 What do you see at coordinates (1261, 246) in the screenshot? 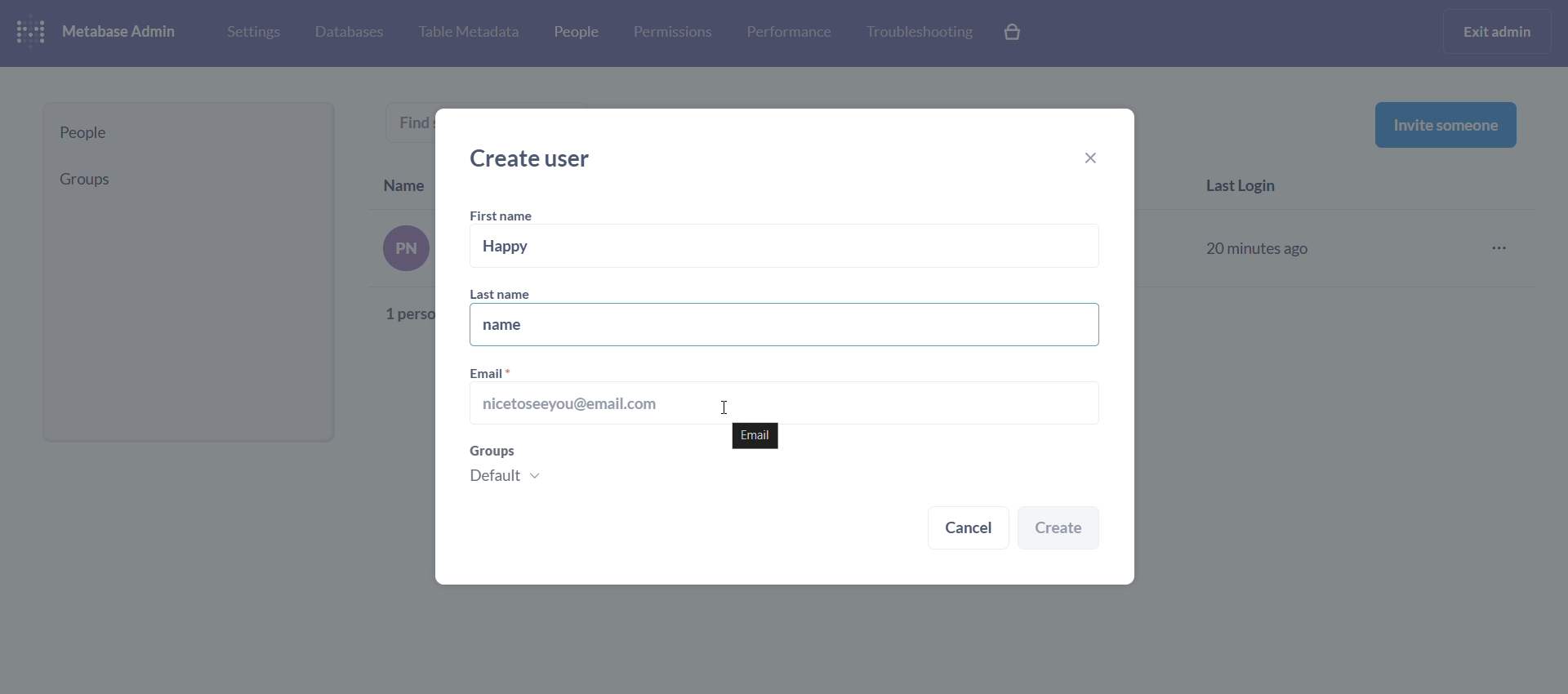
I see `20 minutes ago` at bounding box center [1261, 246].